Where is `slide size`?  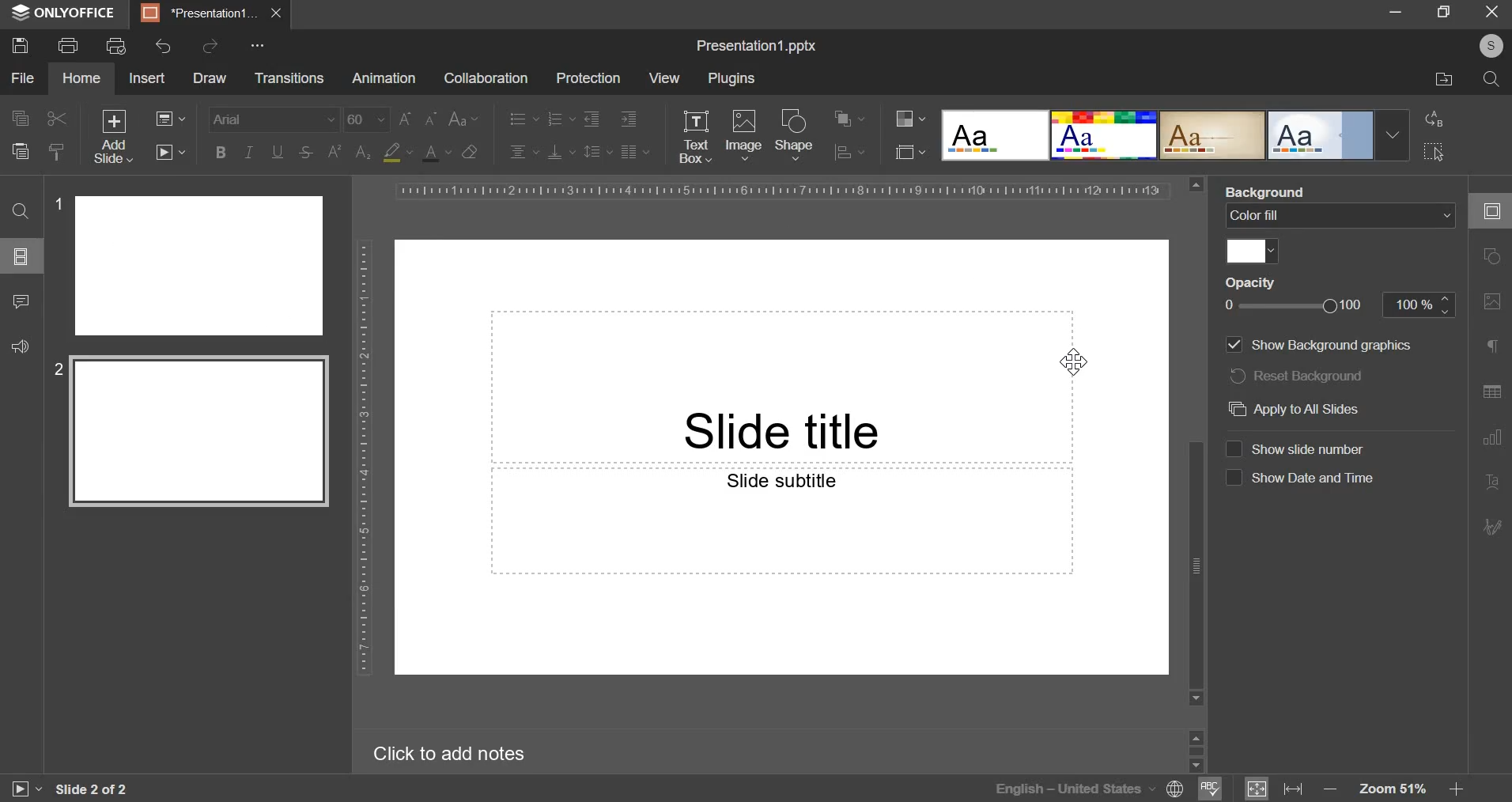
slide size is located at coordinates (910, 150).